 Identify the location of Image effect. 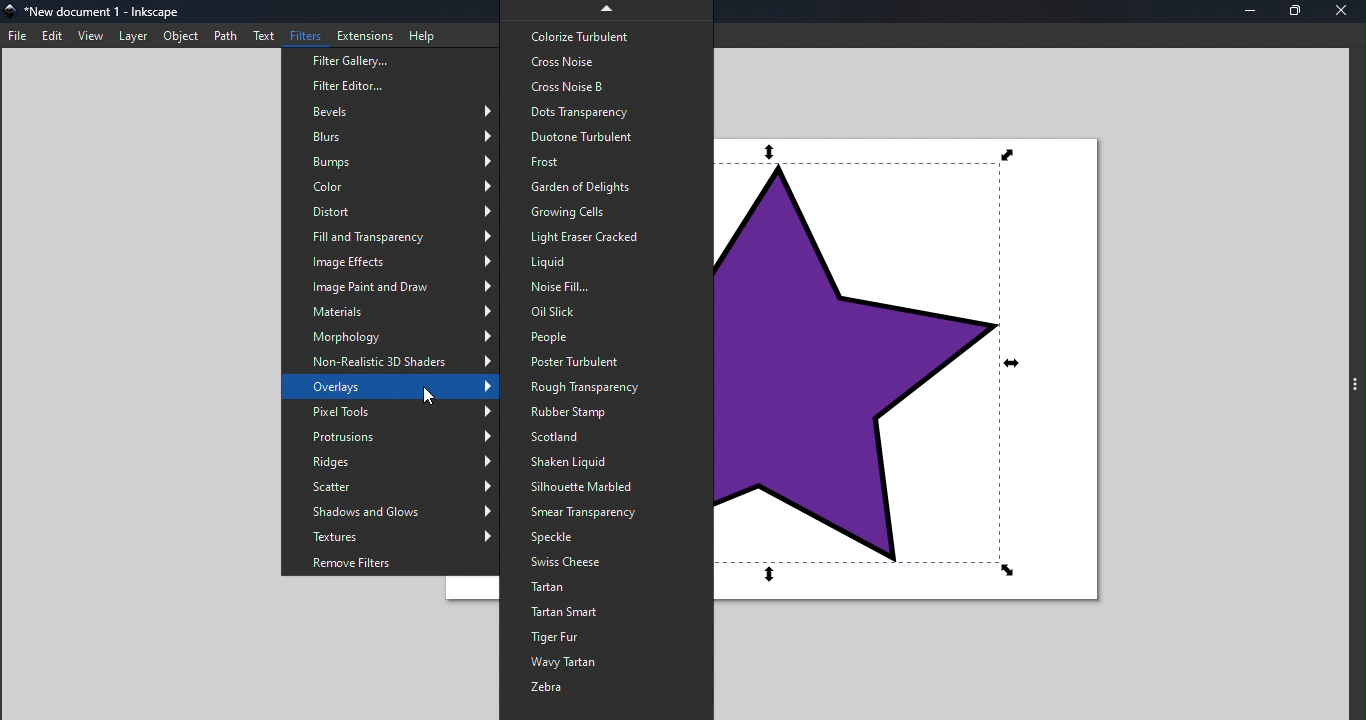
(388, 263).